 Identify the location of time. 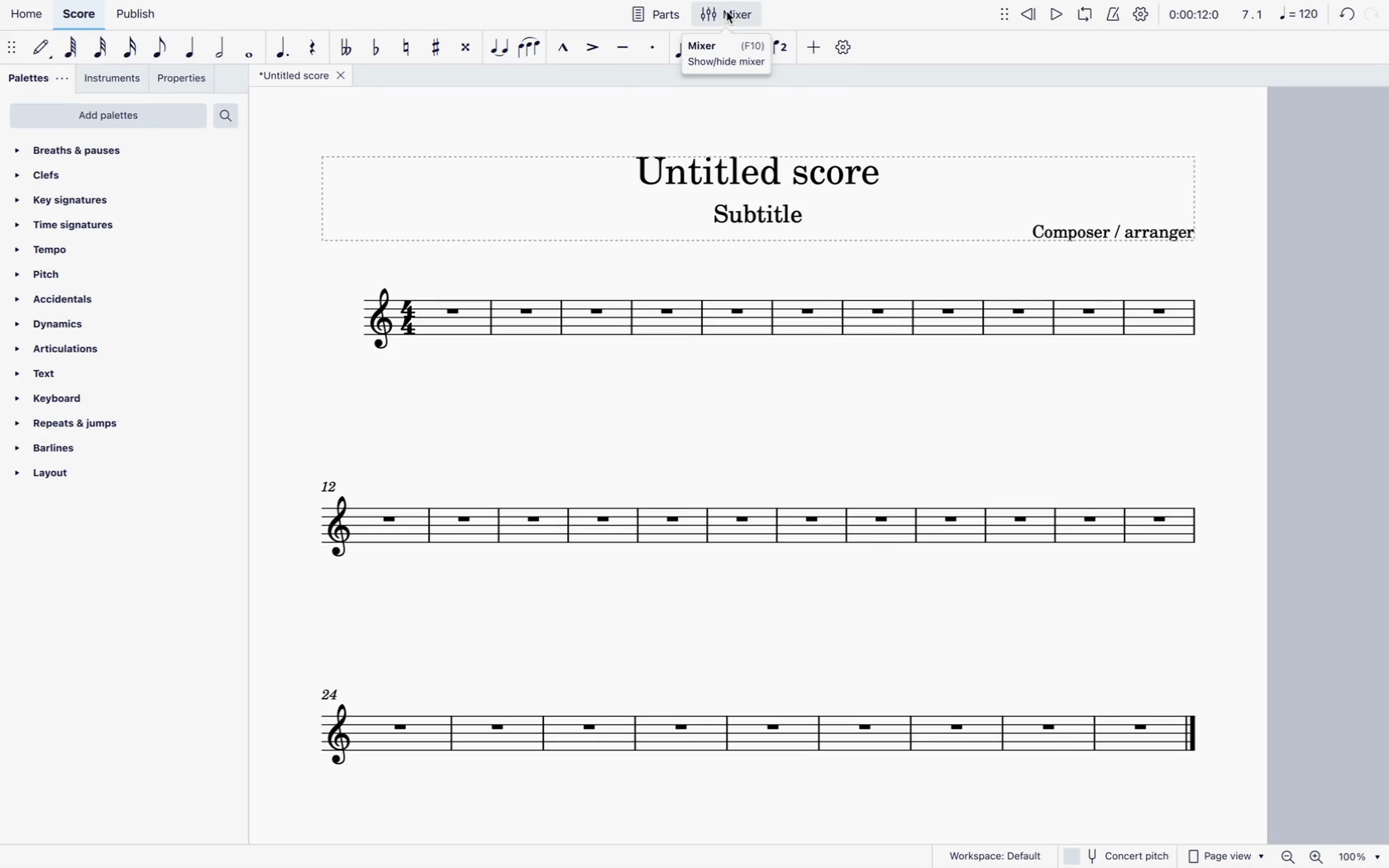
(1194, 16).